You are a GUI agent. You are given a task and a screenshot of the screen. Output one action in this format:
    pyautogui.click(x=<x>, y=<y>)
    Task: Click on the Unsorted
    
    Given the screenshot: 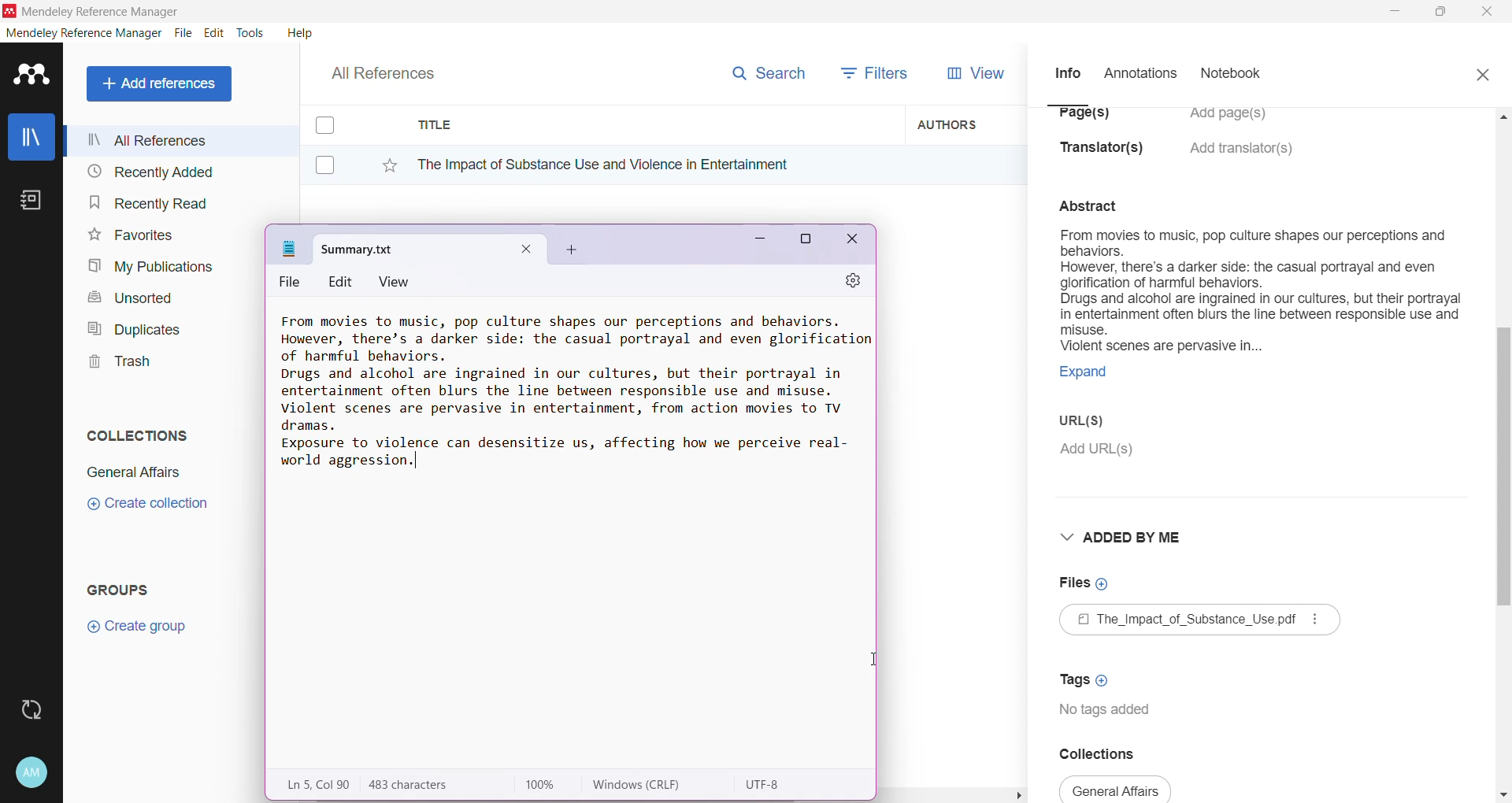 What is the action you would take?
    pyautogui.click(x=128, y=297)
    